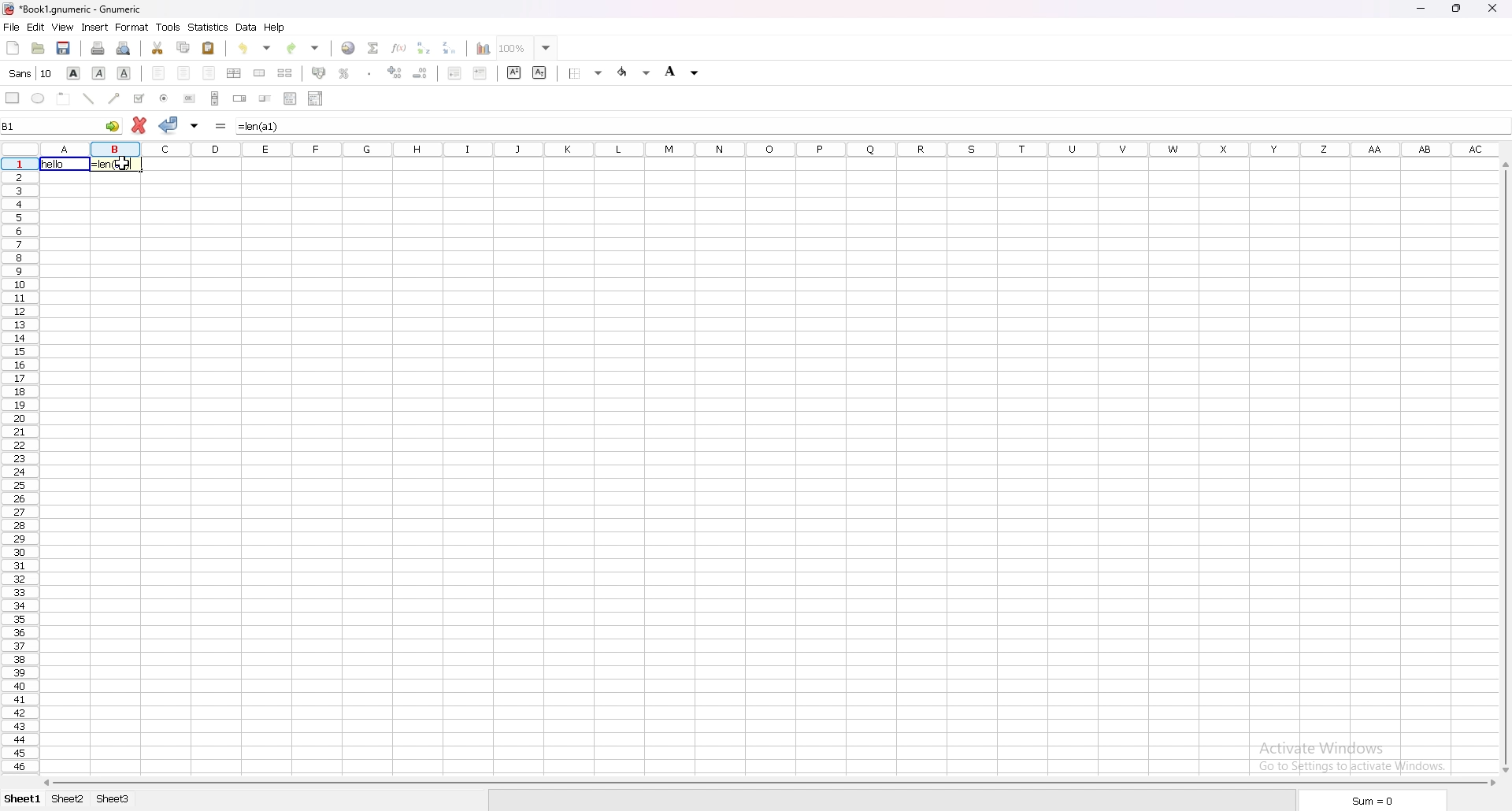 Image resolution: width=1512 pixels, height=811 pixels. Describe the element at coordinates (72, 72) in the screenshot. I see `bold` at that location.